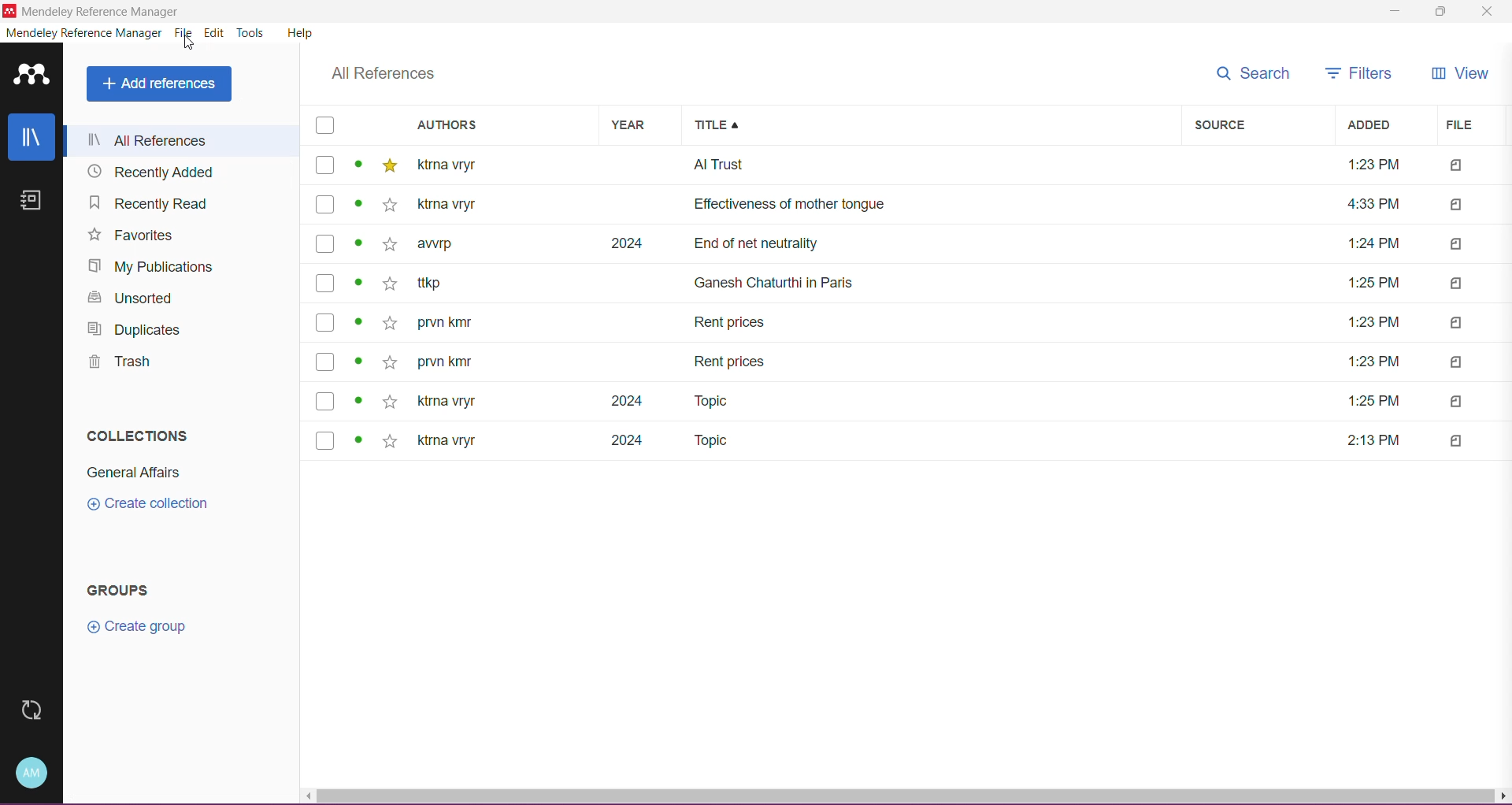 Image resolution: width=1512 pixels, height=805 pixels. What do you see at coordinates (912, 168) in the screenshot?
I see `ktrna vryr Al Trust 1:23PM` at bounding box center [912, 168].